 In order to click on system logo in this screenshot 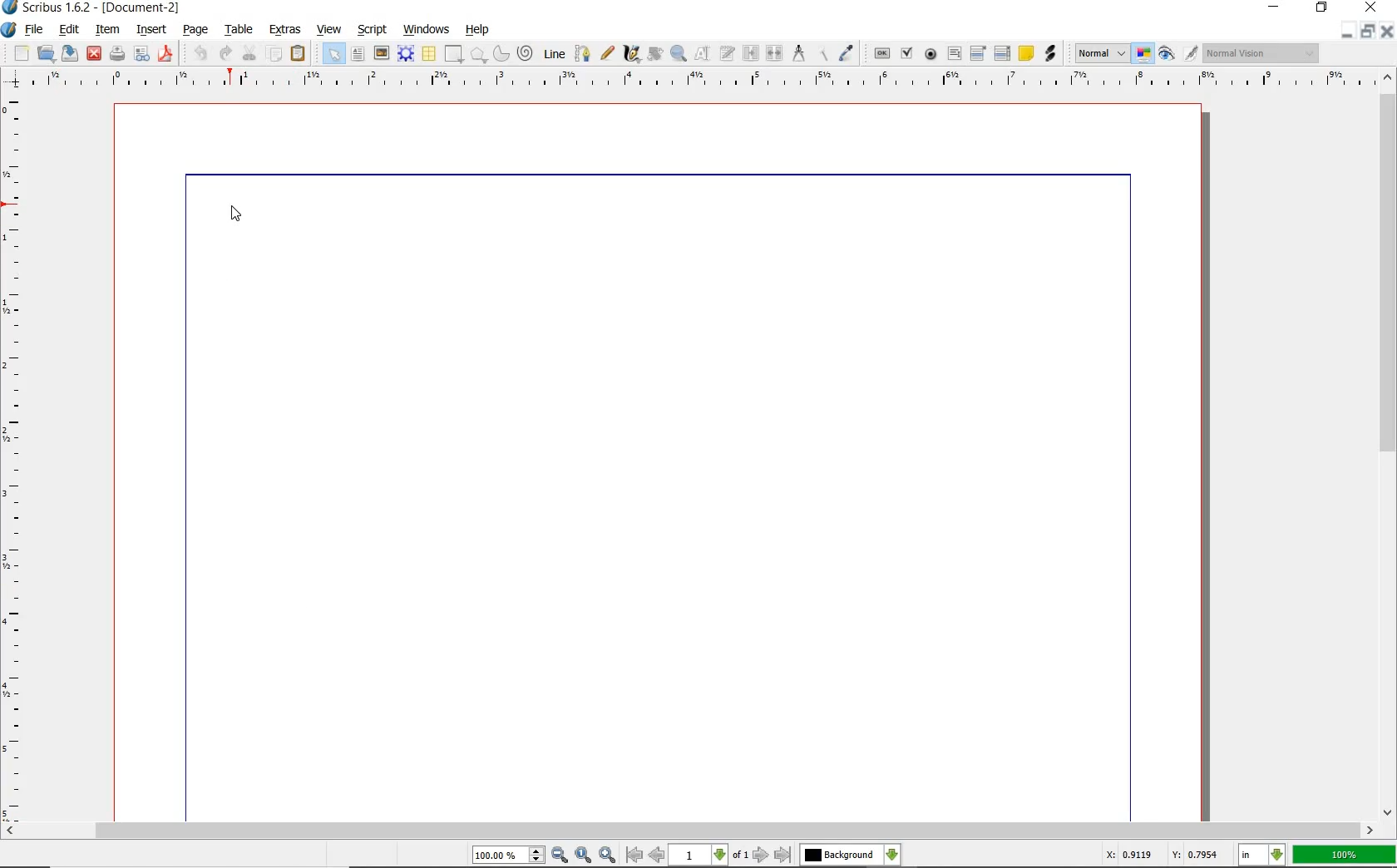, I will do `click(11, 28)`.